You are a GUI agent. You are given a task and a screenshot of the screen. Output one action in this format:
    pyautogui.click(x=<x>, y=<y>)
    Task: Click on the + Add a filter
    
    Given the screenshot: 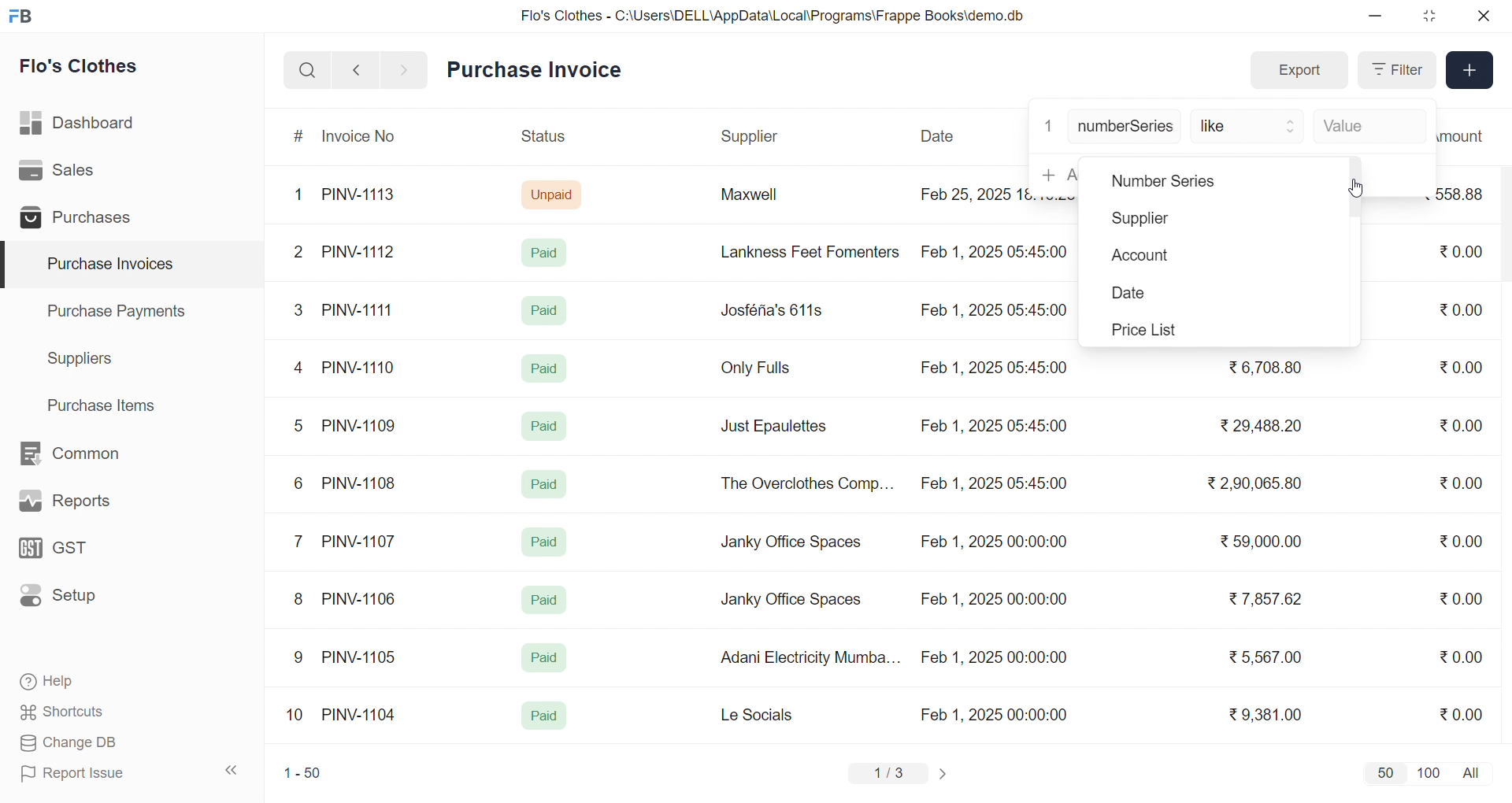 What is the action you would take?
    pyautogui.click(x=1051, y=174)
    